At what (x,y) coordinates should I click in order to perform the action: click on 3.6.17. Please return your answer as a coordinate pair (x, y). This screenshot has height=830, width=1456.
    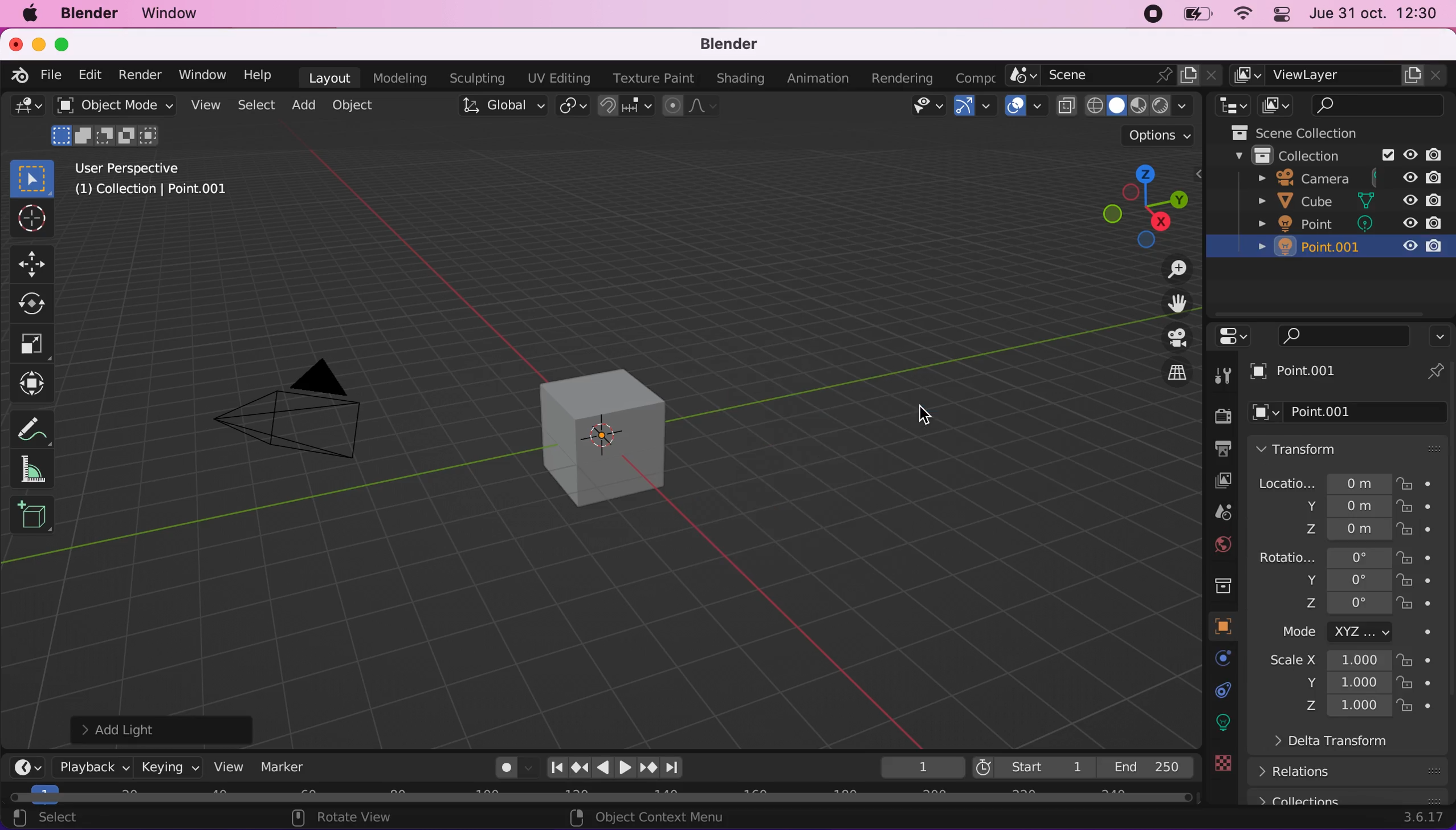
    Looking at the image, I should click on (1425, 817).